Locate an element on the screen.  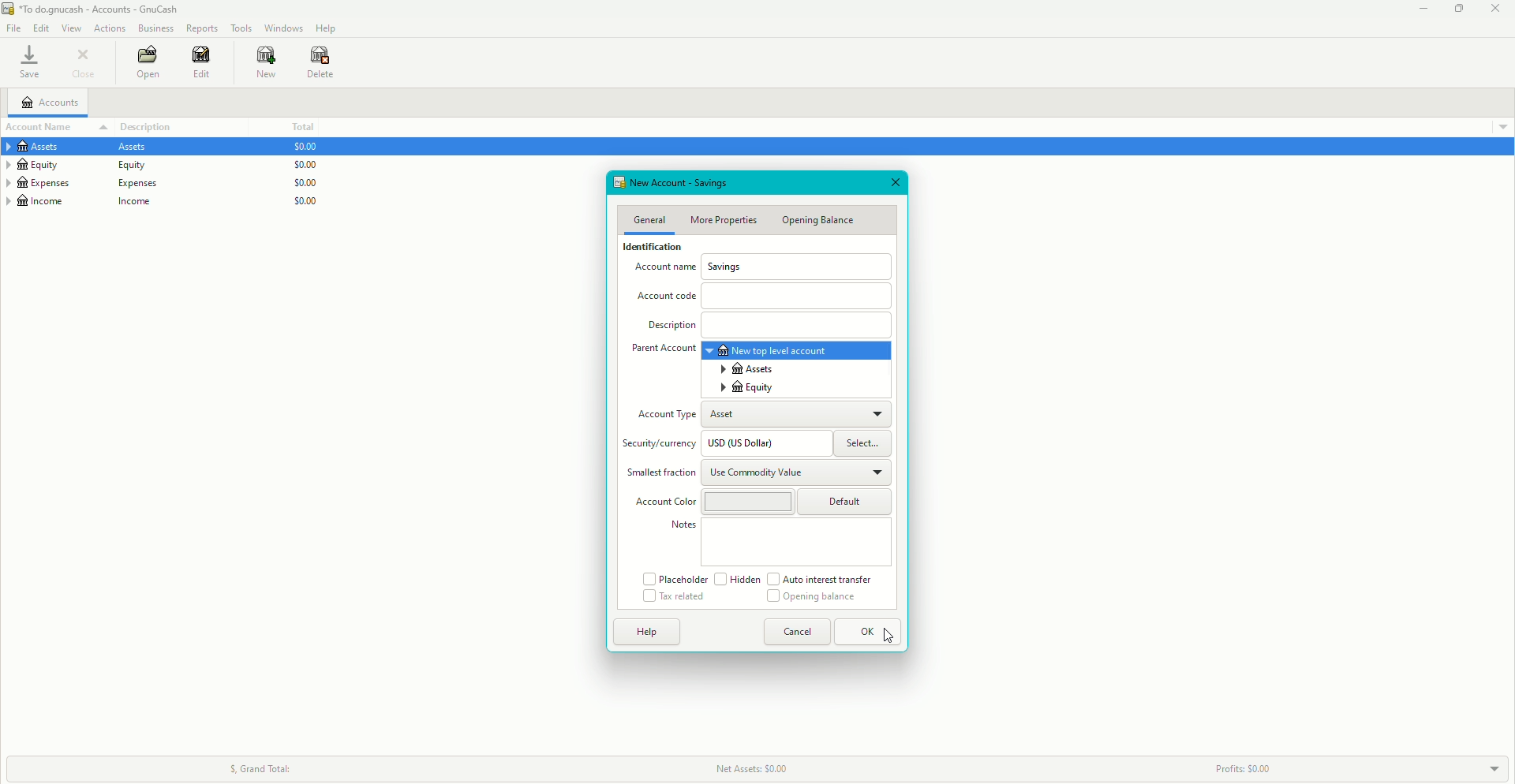
More Properties is located at coordinates (726, 220).